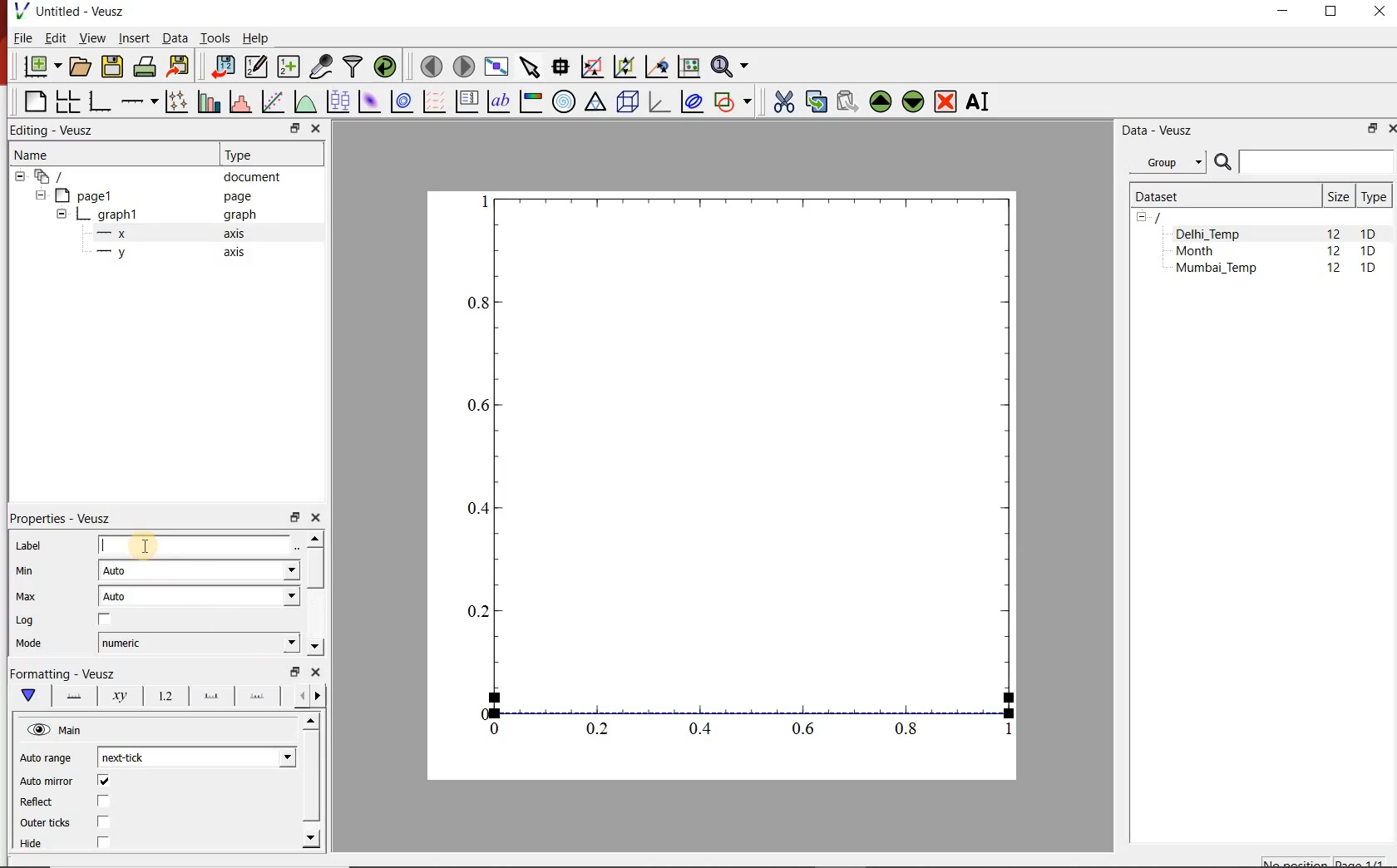  What do you see at coordinates (27, 596) in the screenshot?
I see `Max` at bounding box center [27, 596].